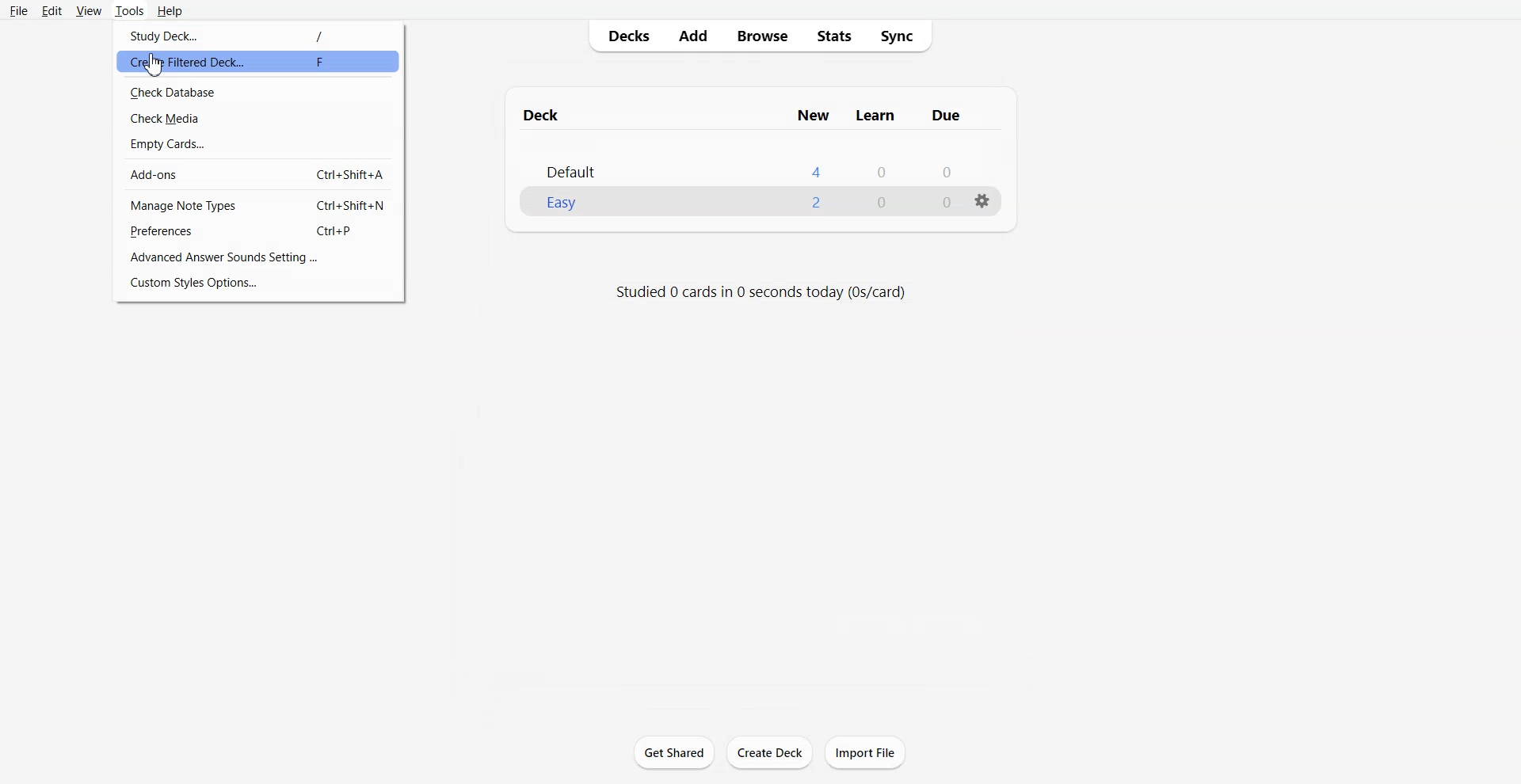 The height and width of the screenshot is (784, 1521). What do you see at coordinates (769, 752) in the screenshot?
I see `Create Deck` at bounding box center [769, 752].